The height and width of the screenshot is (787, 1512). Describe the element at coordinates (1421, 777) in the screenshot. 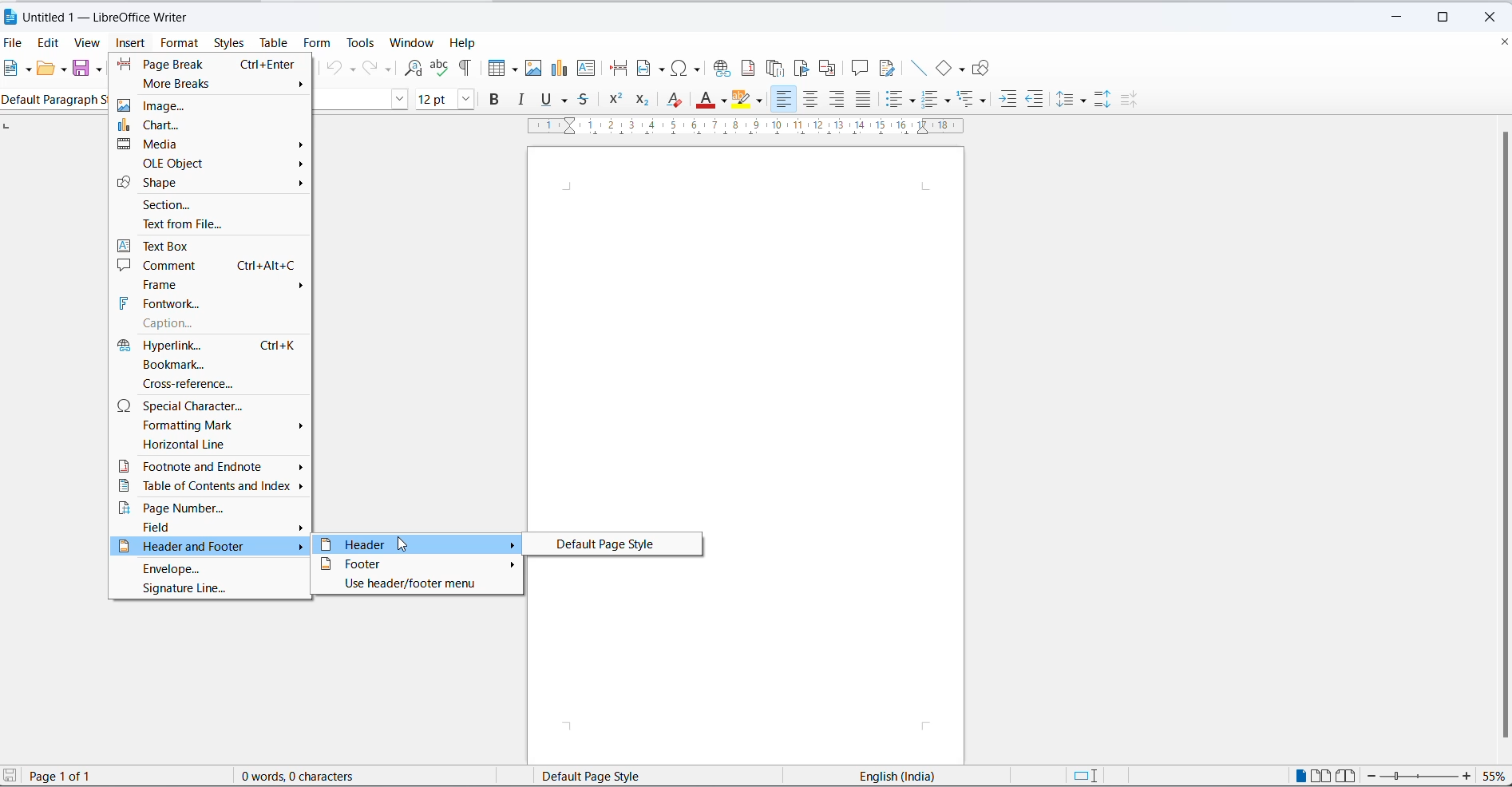

I see `zoom slider` at that location.